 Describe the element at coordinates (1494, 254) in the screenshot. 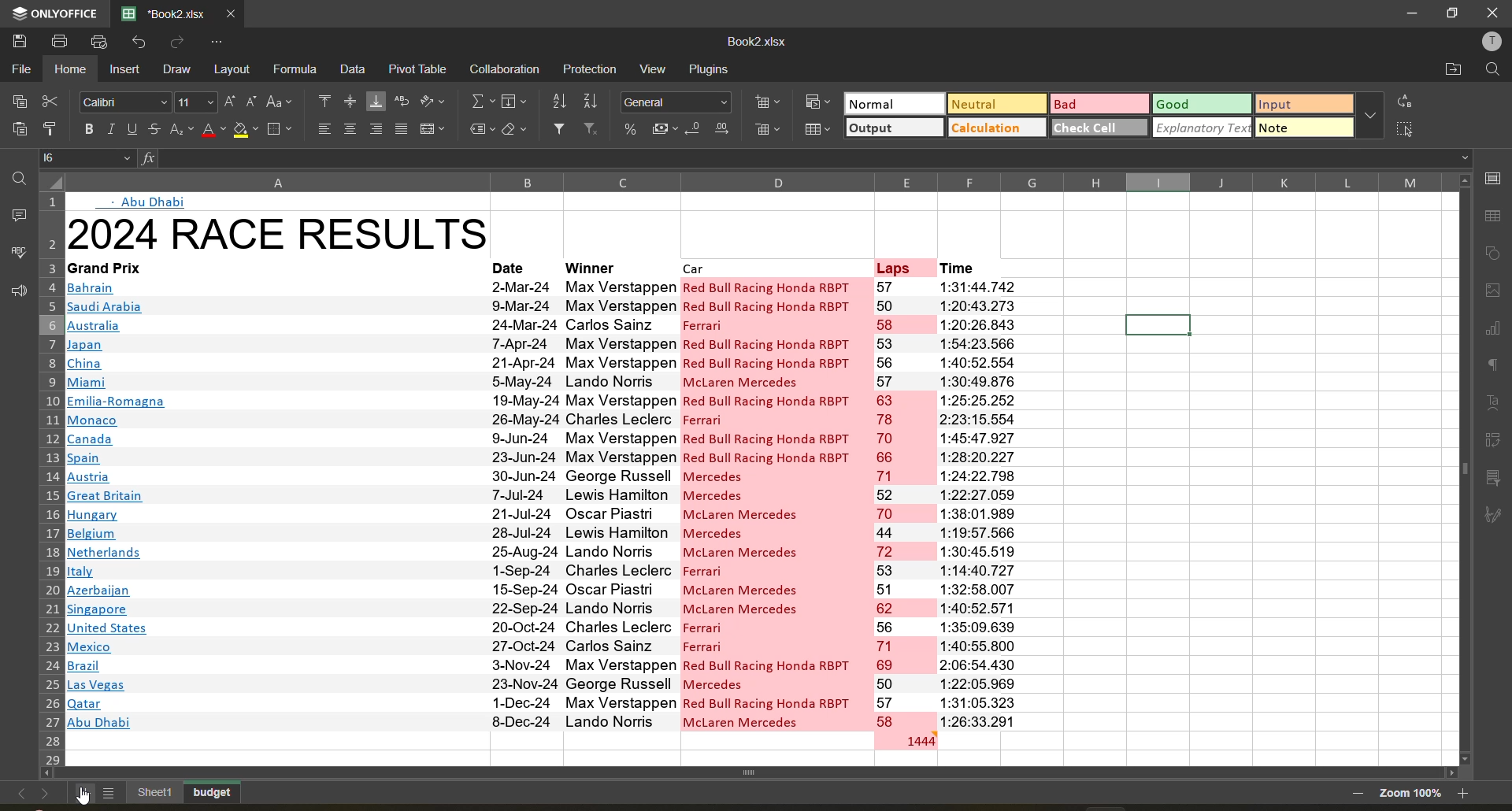

I see `shapes` at that location.